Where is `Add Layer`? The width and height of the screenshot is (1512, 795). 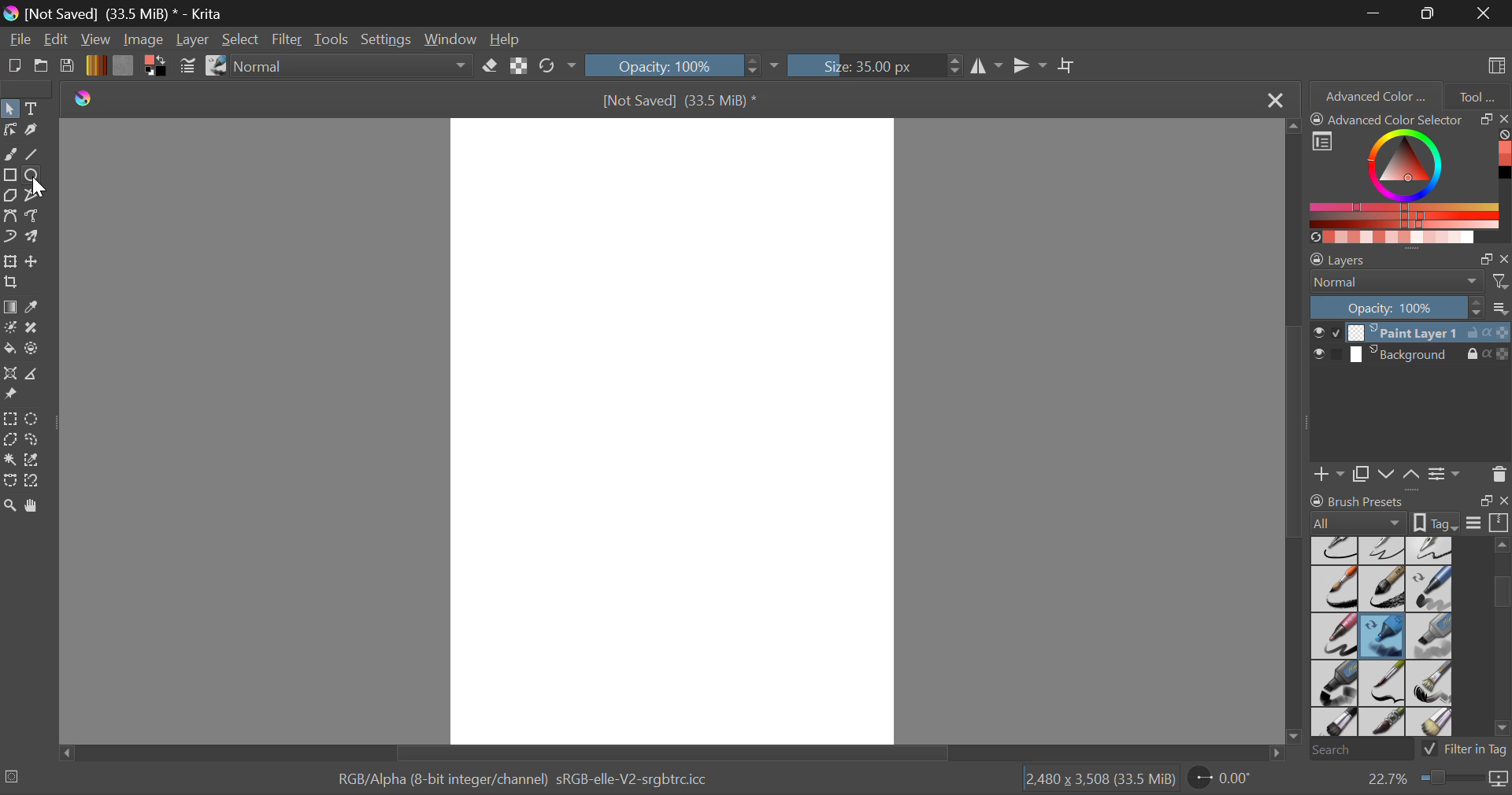 Add Layer is located at coordinates (1329, 472).